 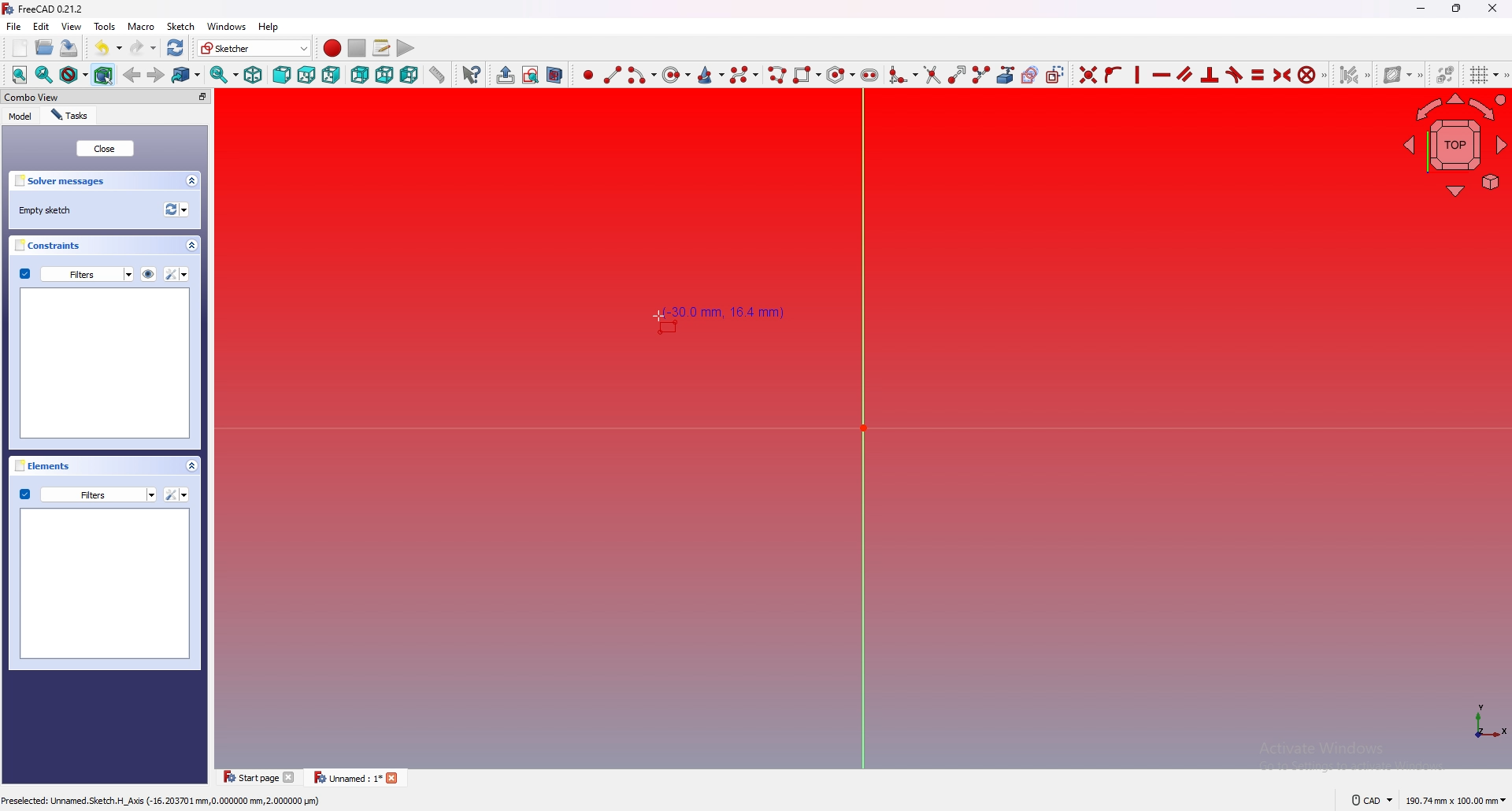 I want to click on stop macro, so click(x=356, y=47).